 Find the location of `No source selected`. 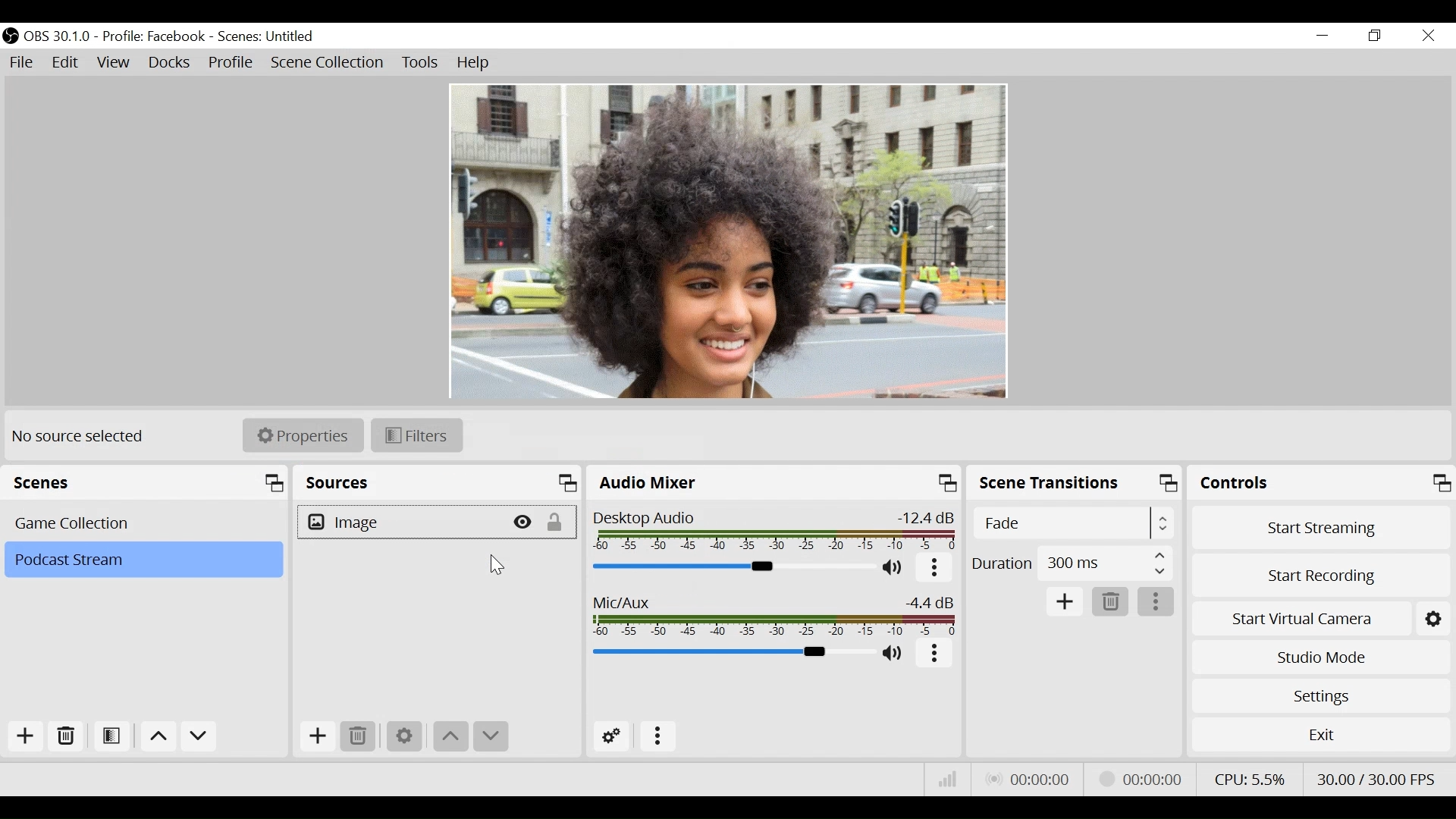

No source selected is located at coordinates (88, 437).